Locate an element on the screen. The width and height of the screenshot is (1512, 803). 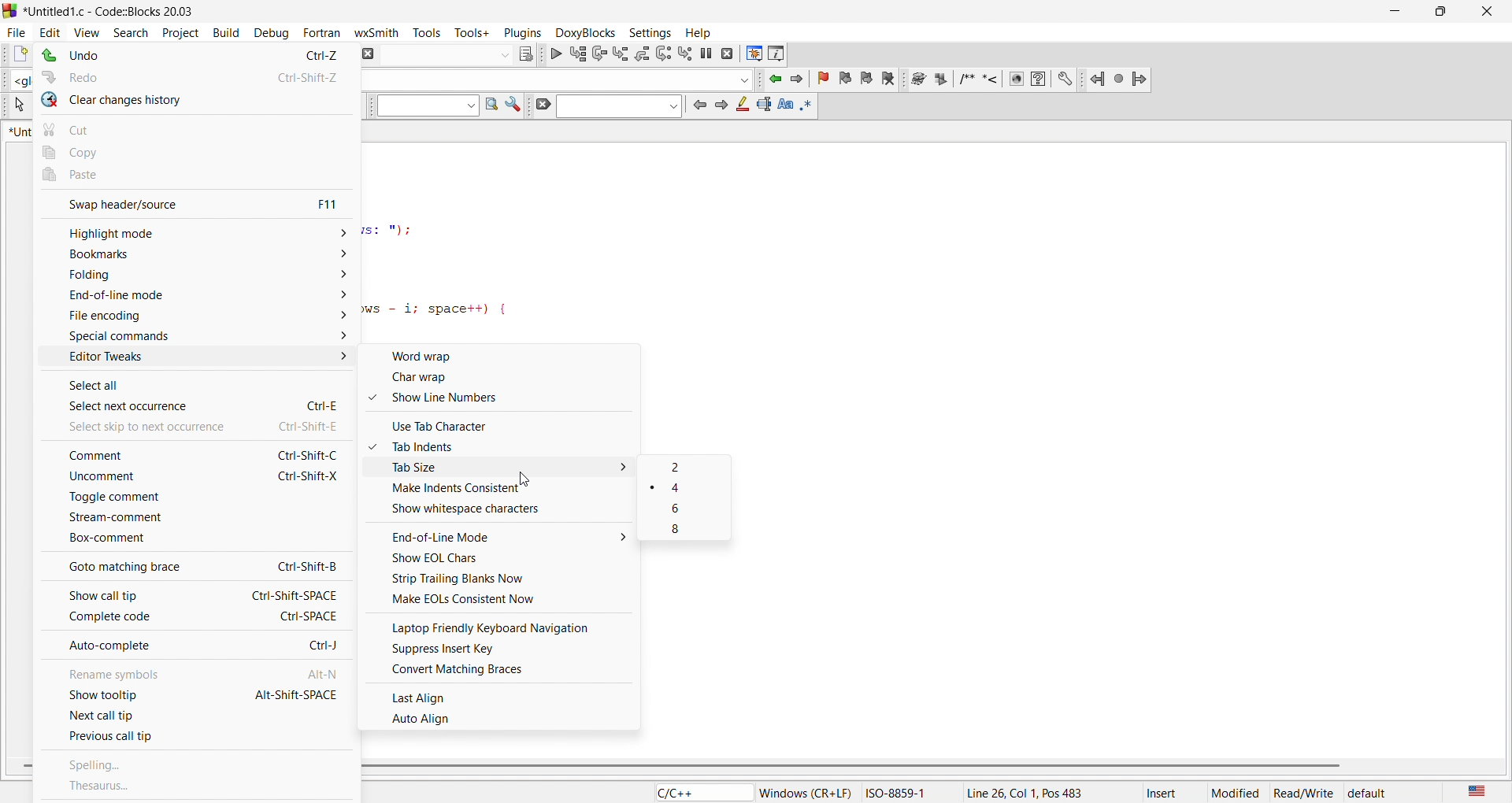
previous call tip is located at coordinates (198, 738).